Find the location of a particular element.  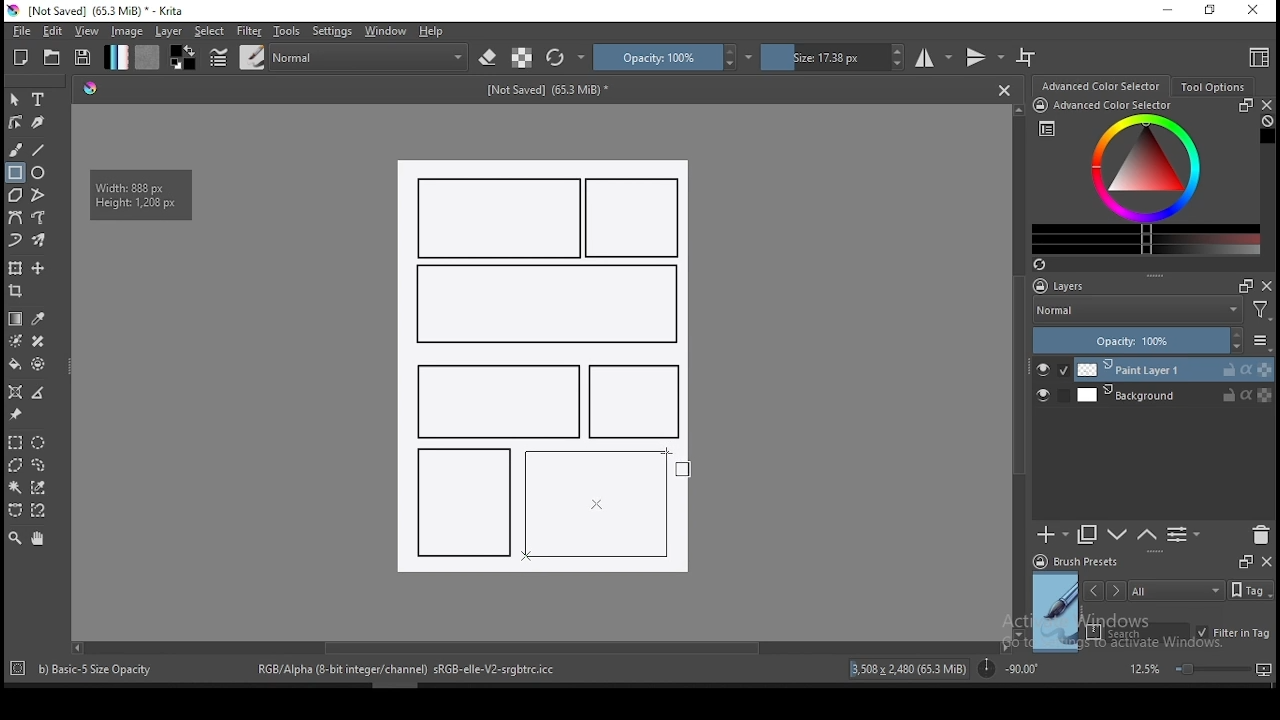

choose workspace is located at coordinates (1257, 57).